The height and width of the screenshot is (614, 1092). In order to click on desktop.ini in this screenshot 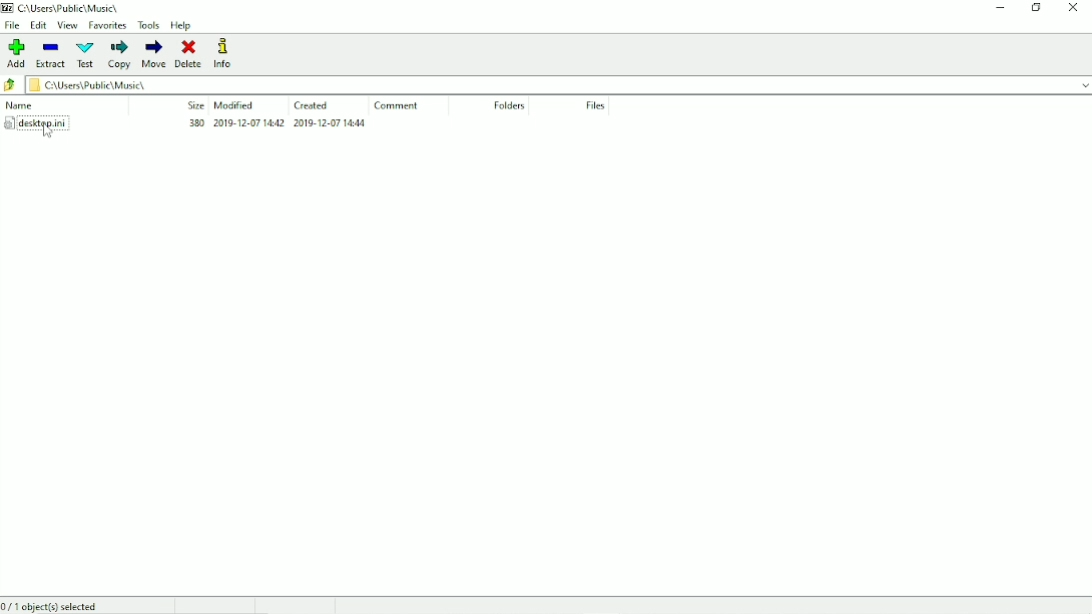, I will do `click(184, 124)`.